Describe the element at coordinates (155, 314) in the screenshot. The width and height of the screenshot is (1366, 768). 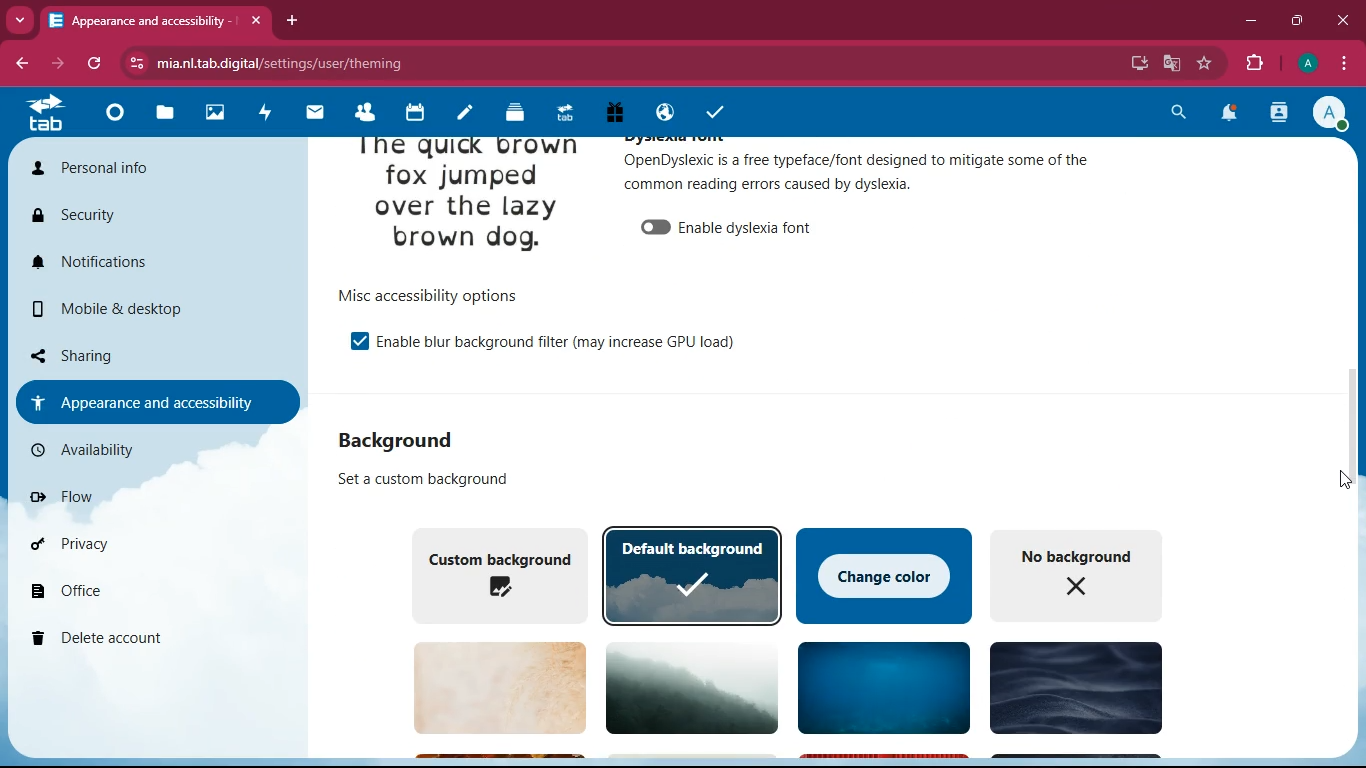
I see `mobile` at that location.